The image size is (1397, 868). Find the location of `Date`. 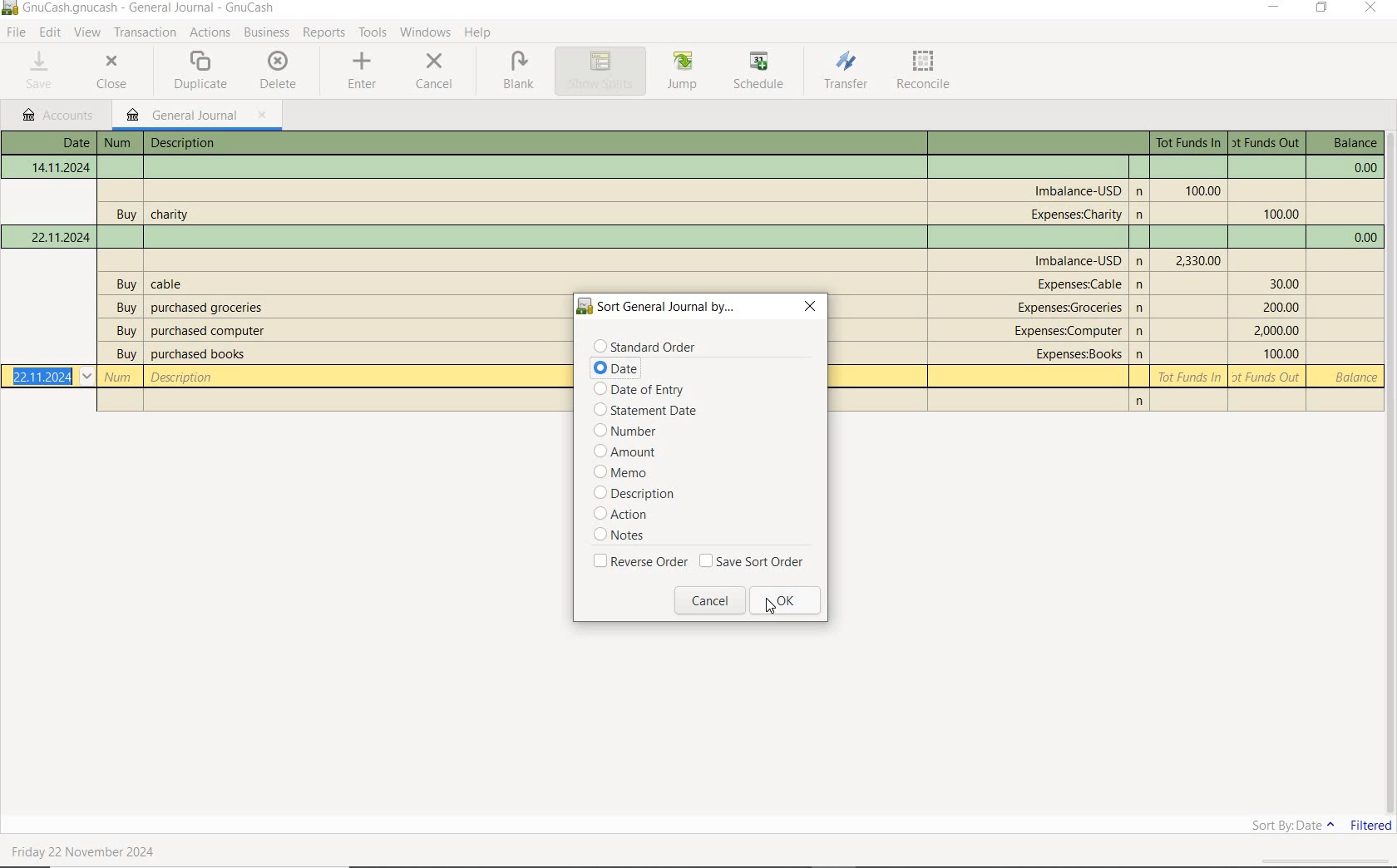

Date is located at coordinates (62, 168).